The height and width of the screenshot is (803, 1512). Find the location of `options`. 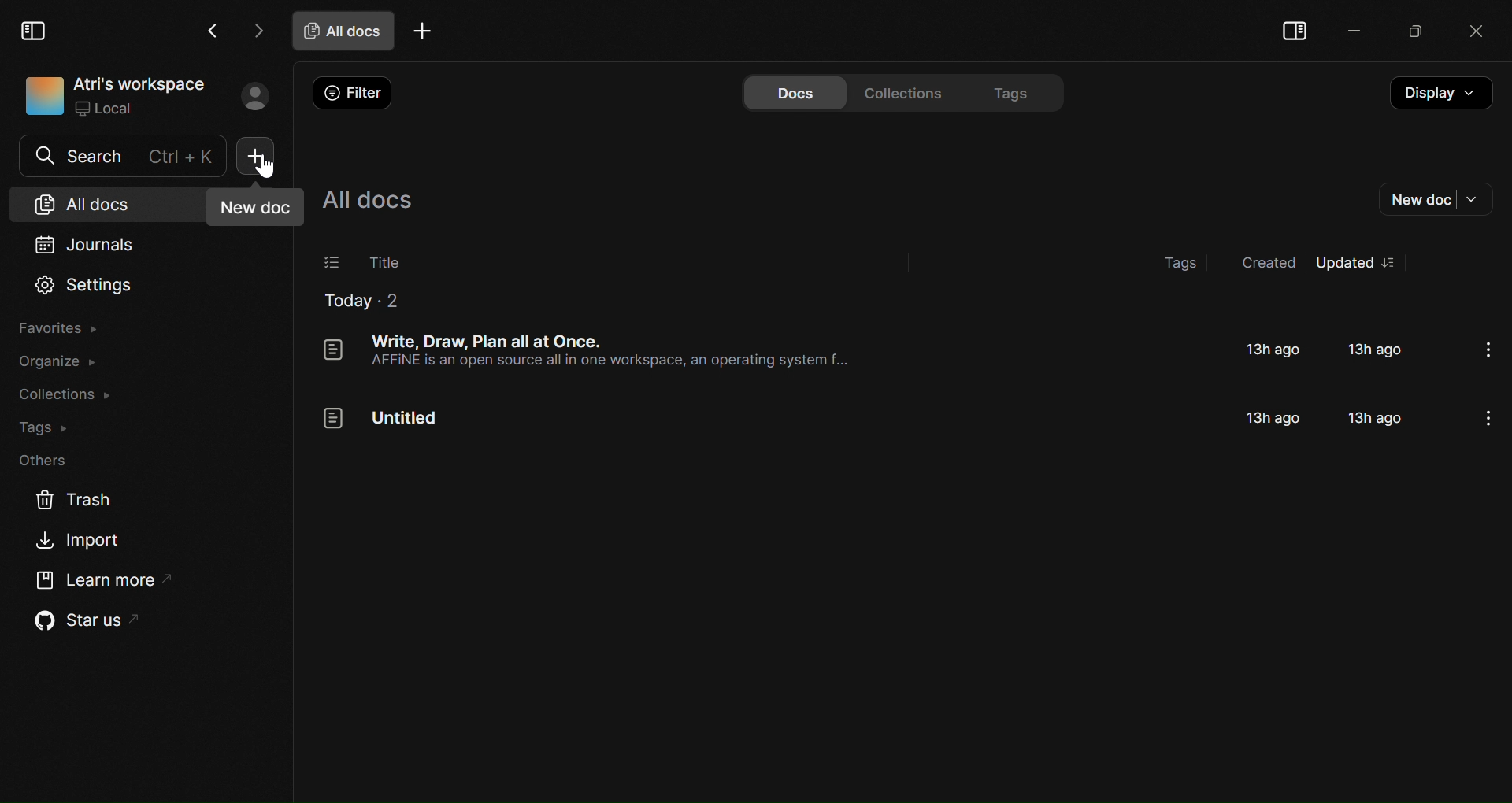

options is located at coordinates (1488, 418).